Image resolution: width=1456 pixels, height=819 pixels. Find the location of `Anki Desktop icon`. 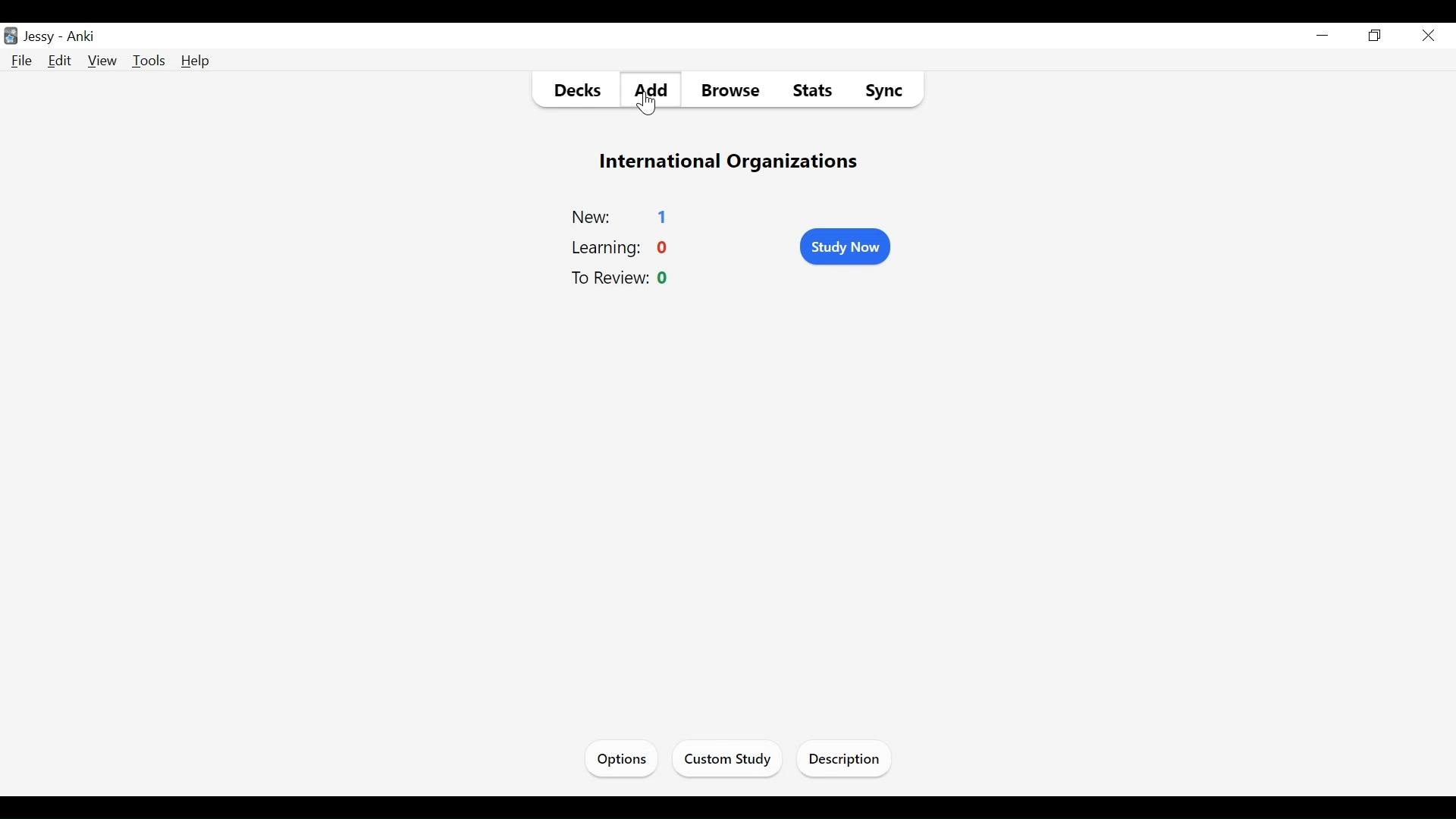

Anki Desktop icon is located at coordinates (11, 37).